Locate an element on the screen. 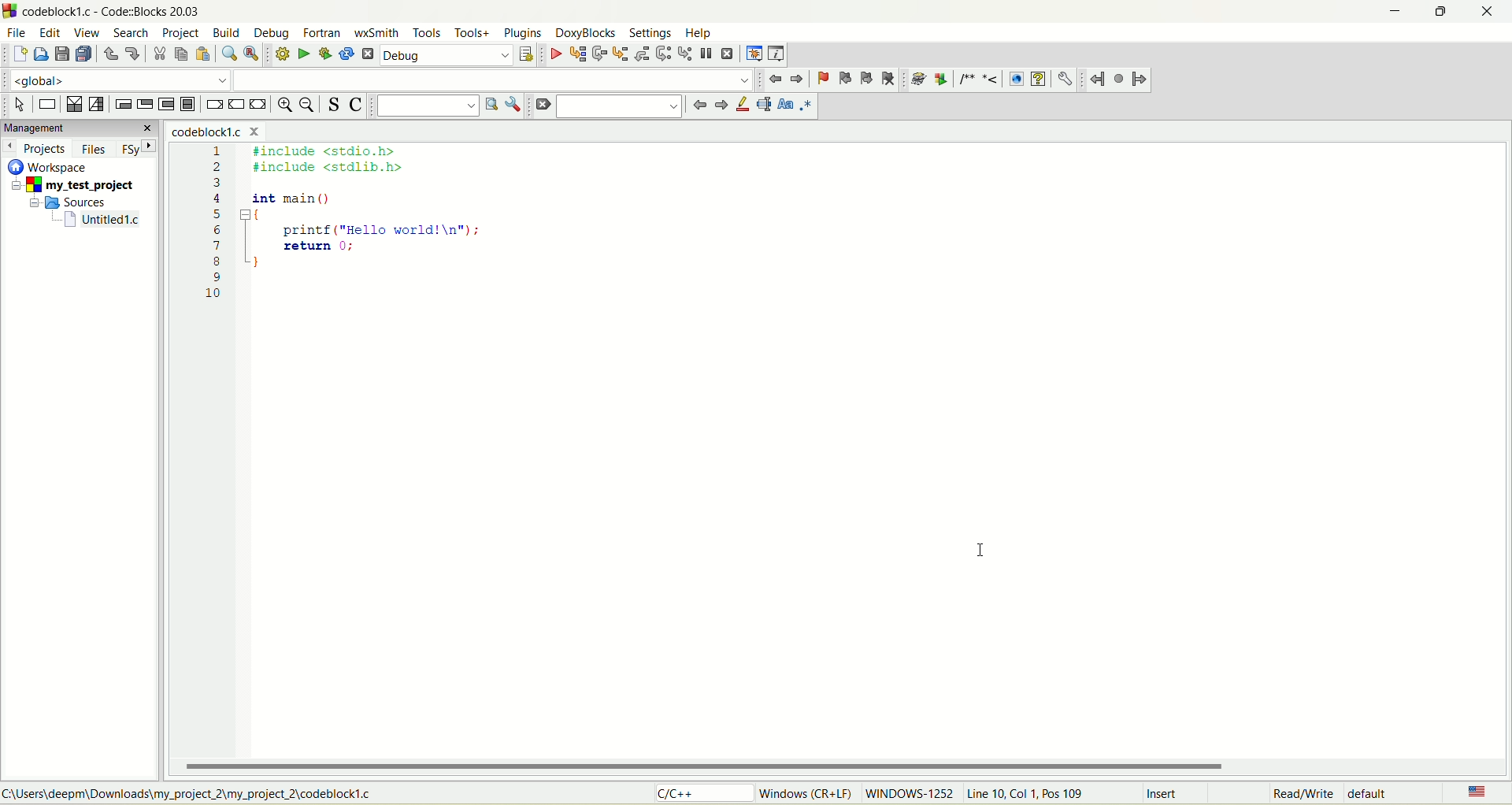 This screenshot has height=805, width=1512. highlight is located at coordinates (741, 105).